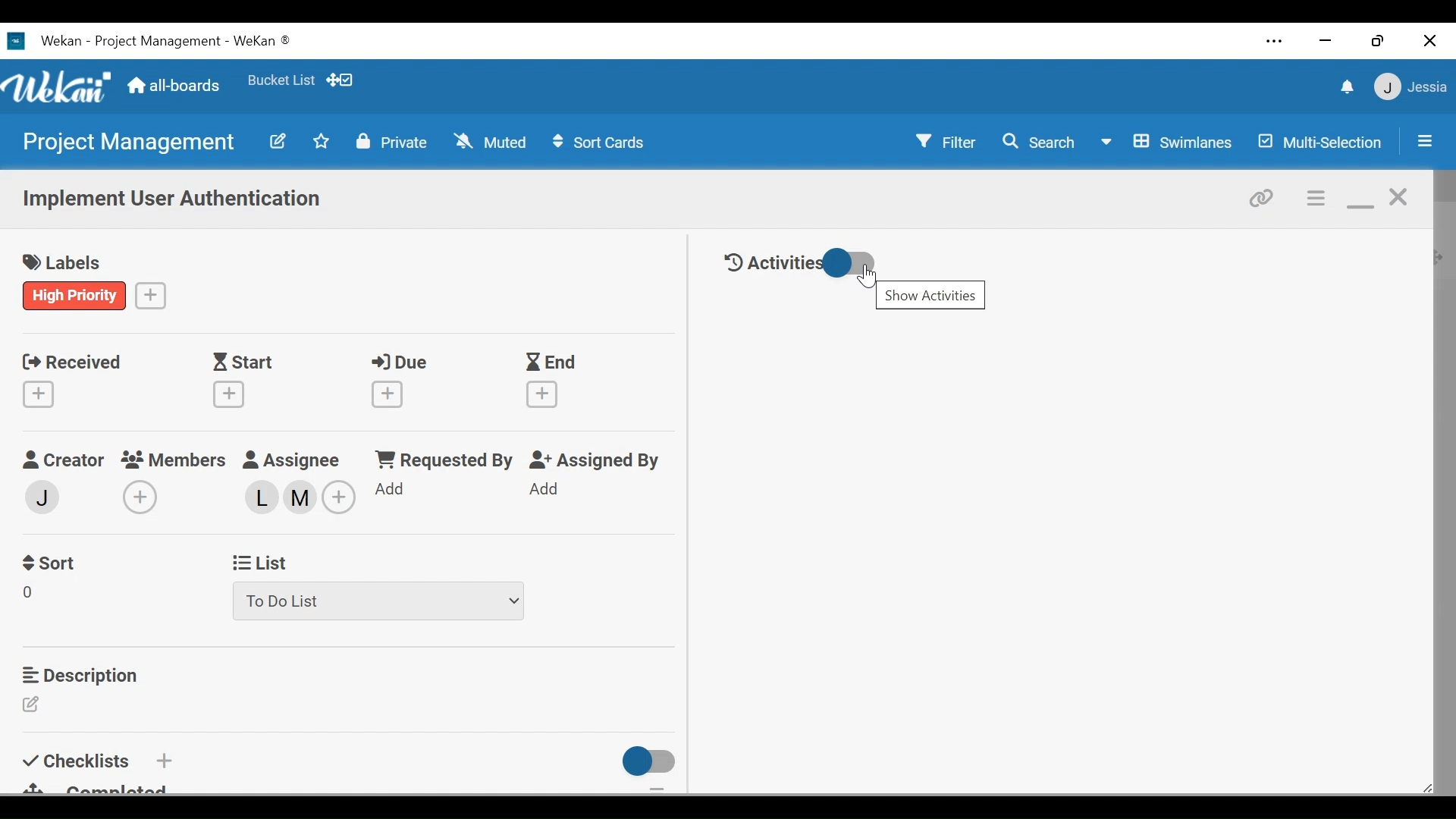 The width and height of the screenshot is (1456, 819). Describe the element at coordinates (392, 488) in the screenshot. I see `Add` at that location.